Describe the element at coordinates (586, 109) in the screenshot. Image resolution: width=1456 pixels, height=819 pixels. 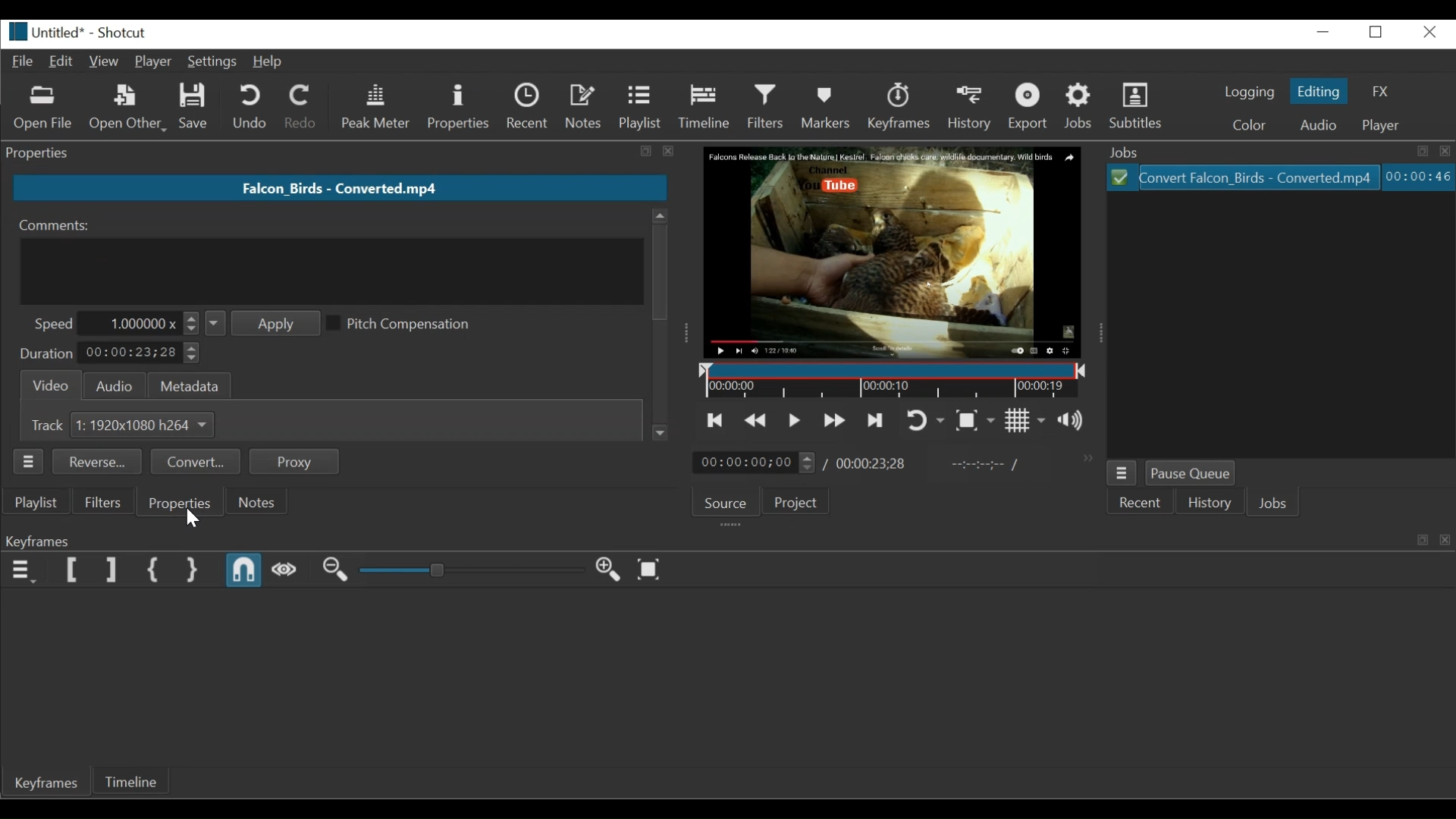
I see `Notees` at that location.